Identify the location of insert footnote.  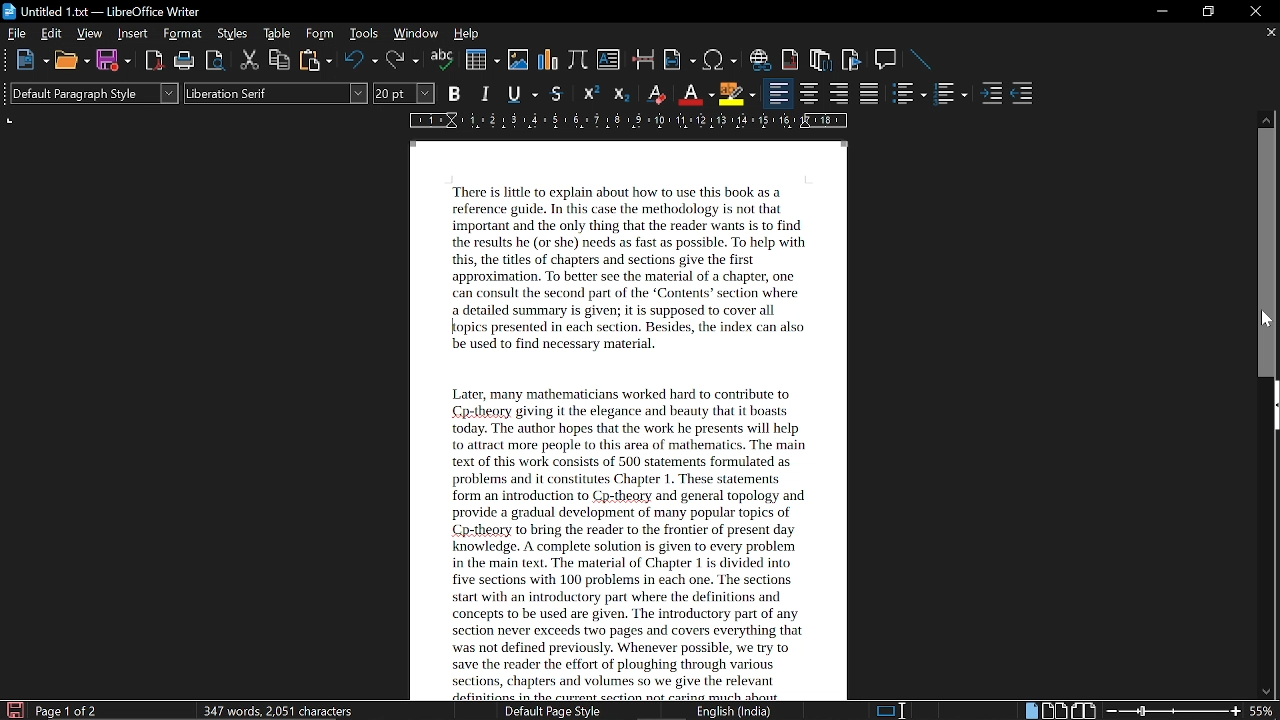
(791, 59).